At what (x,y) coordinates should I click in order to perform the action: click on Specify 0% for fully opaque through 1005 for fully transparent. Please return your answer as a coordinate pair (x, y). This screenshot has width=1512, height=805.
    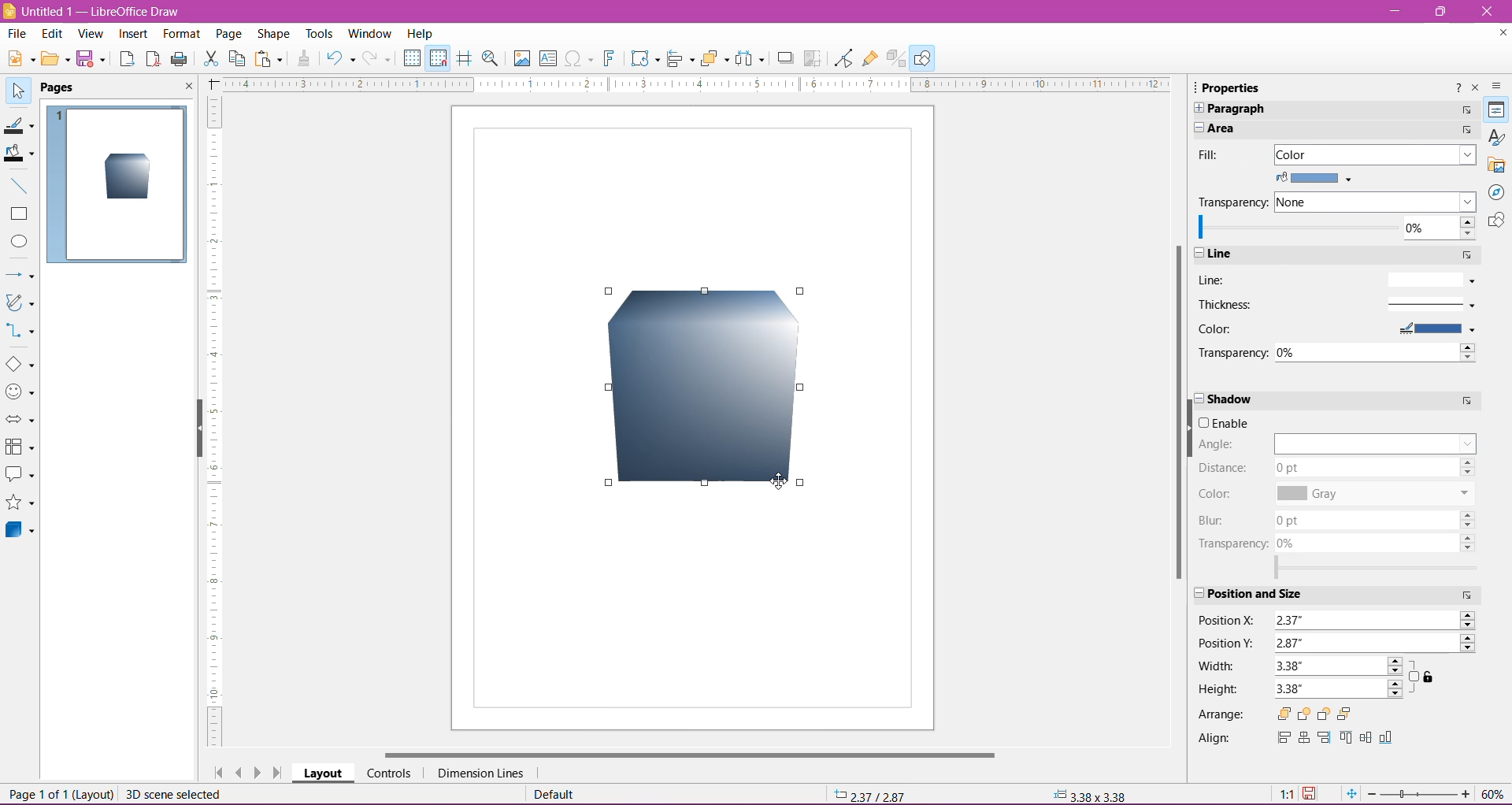
    Looking at the image, I should click on (1336, 228).